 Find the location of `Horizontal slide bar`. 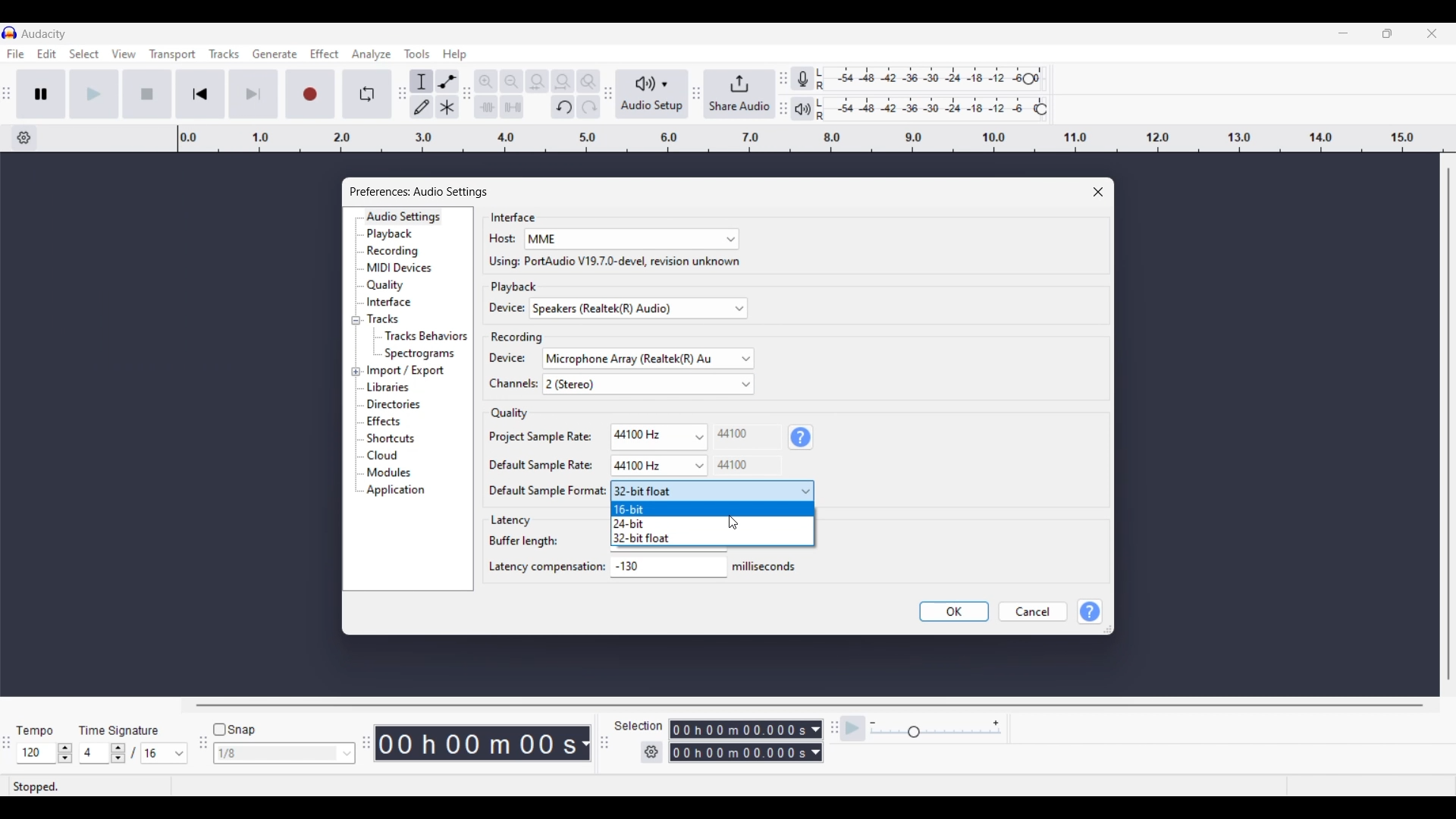

Horizontal slide bar is located at coordinates (810, 705).